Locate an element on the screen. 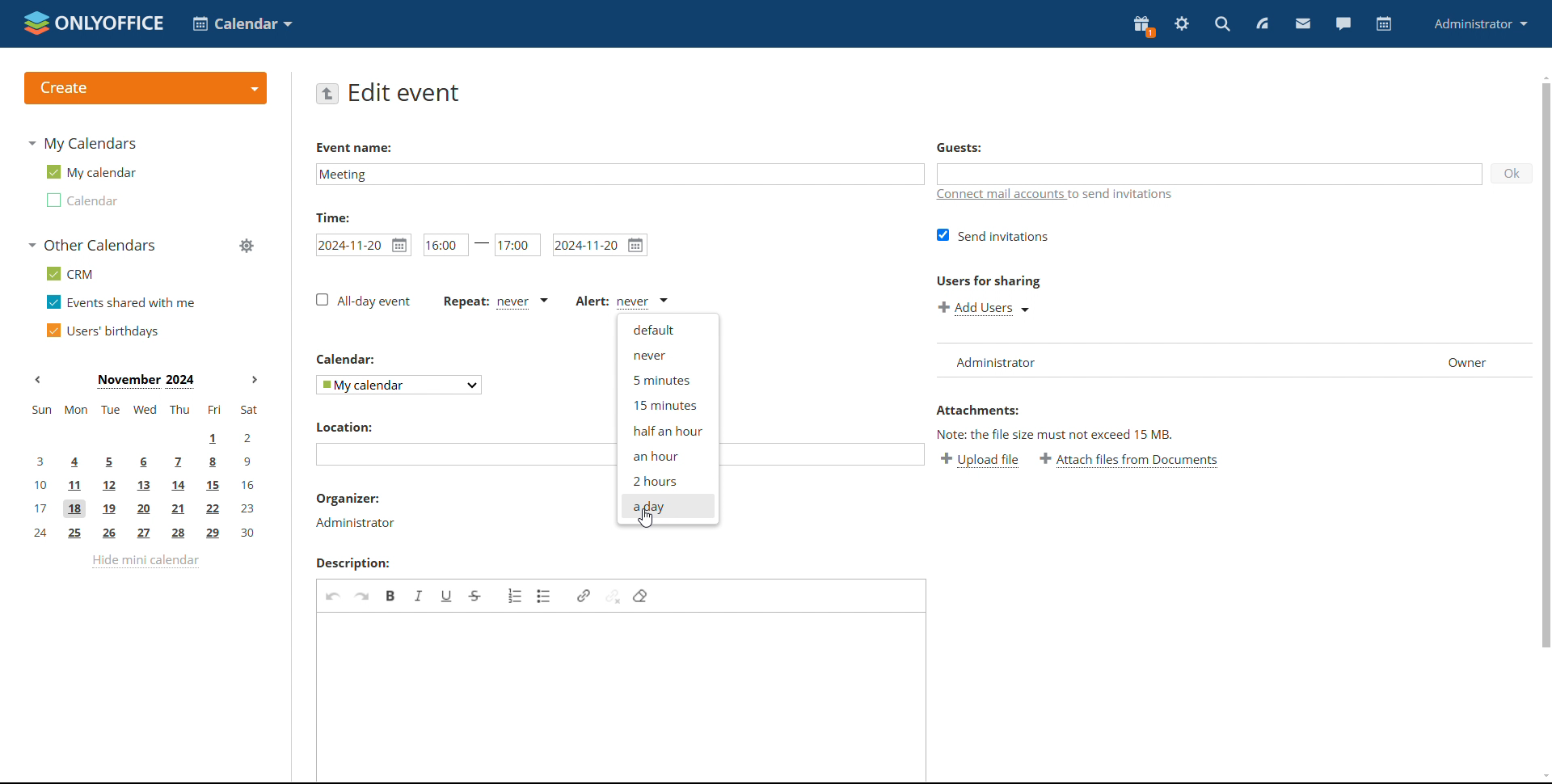 Image resolution: width=1552 pixels, height=784 pixels. manage is located at coordinates (245, 245).